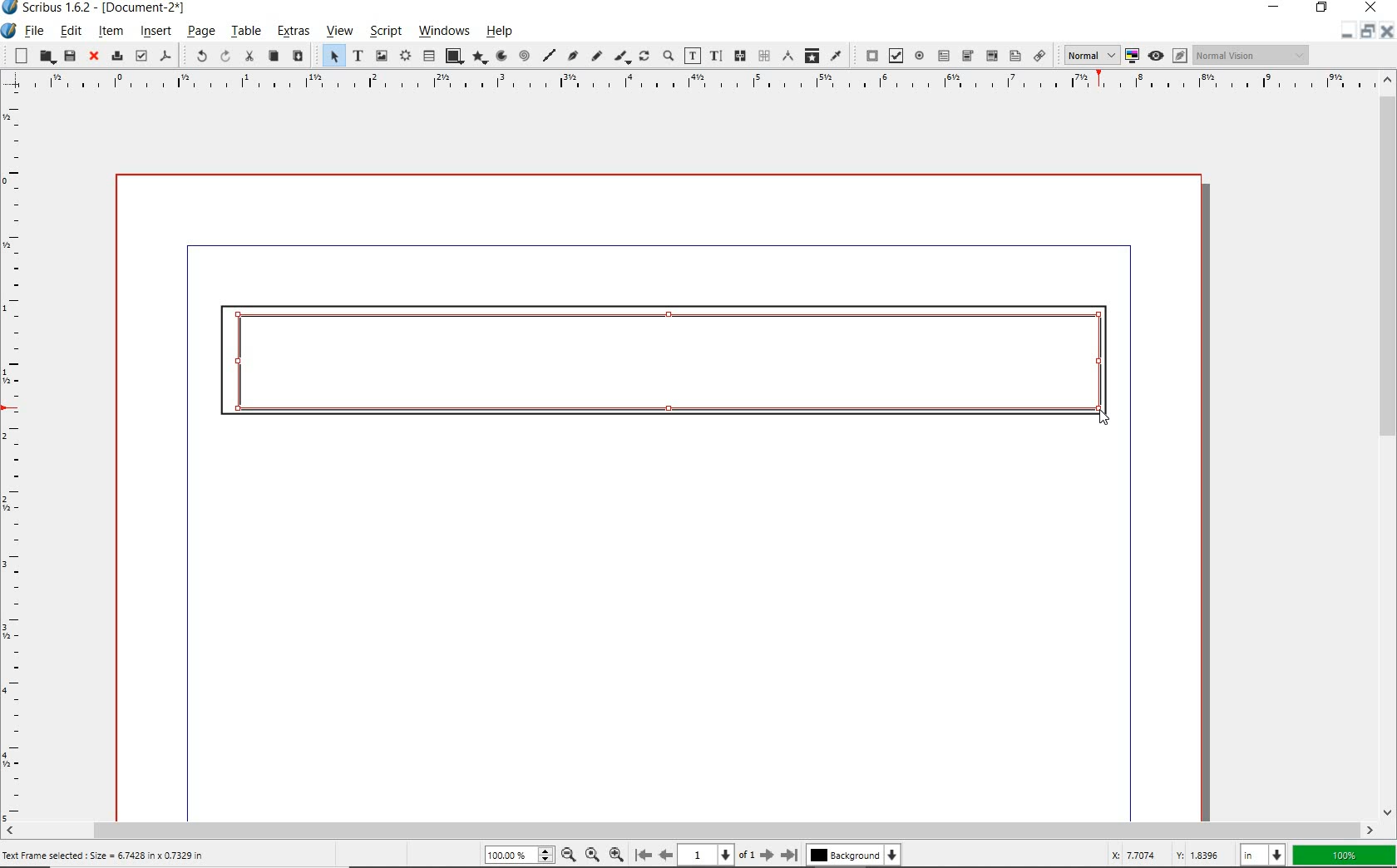  I want to click on zoom out, so click(616, 853).